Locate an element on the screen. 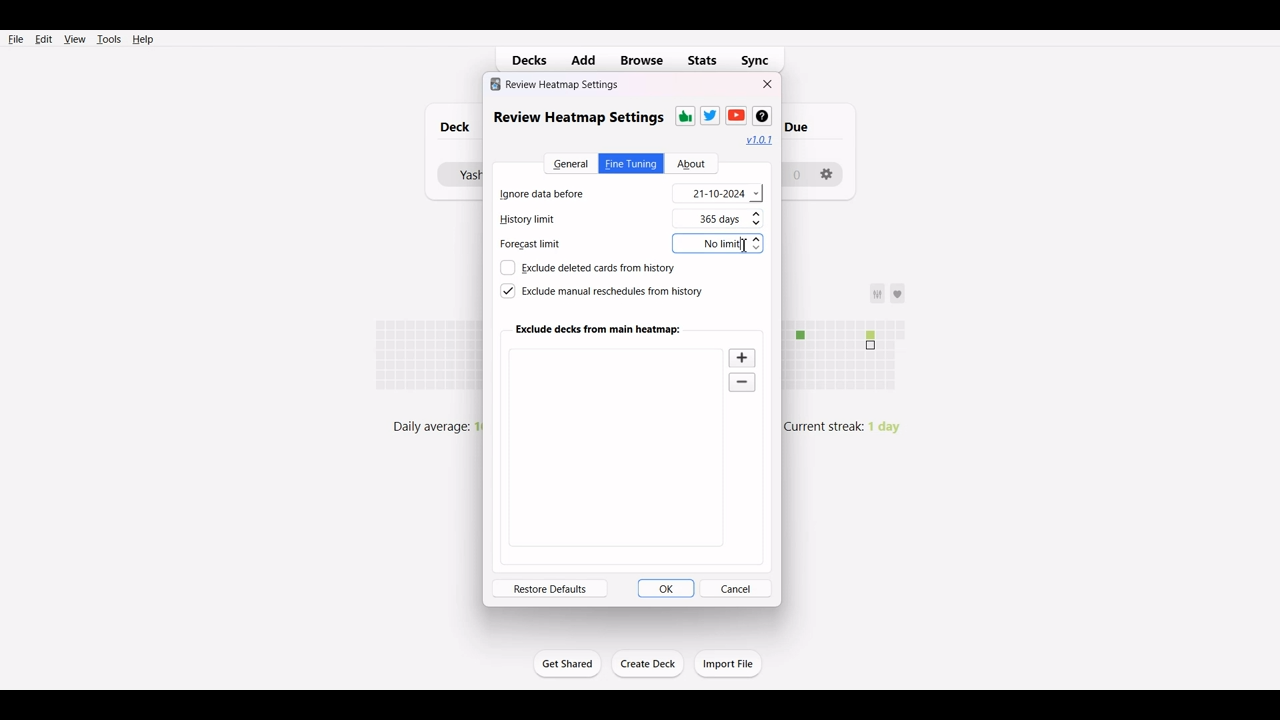 Image resolution: width=1280 pixels, height=720 pixels. Deck is located at coordinates (450, 127).